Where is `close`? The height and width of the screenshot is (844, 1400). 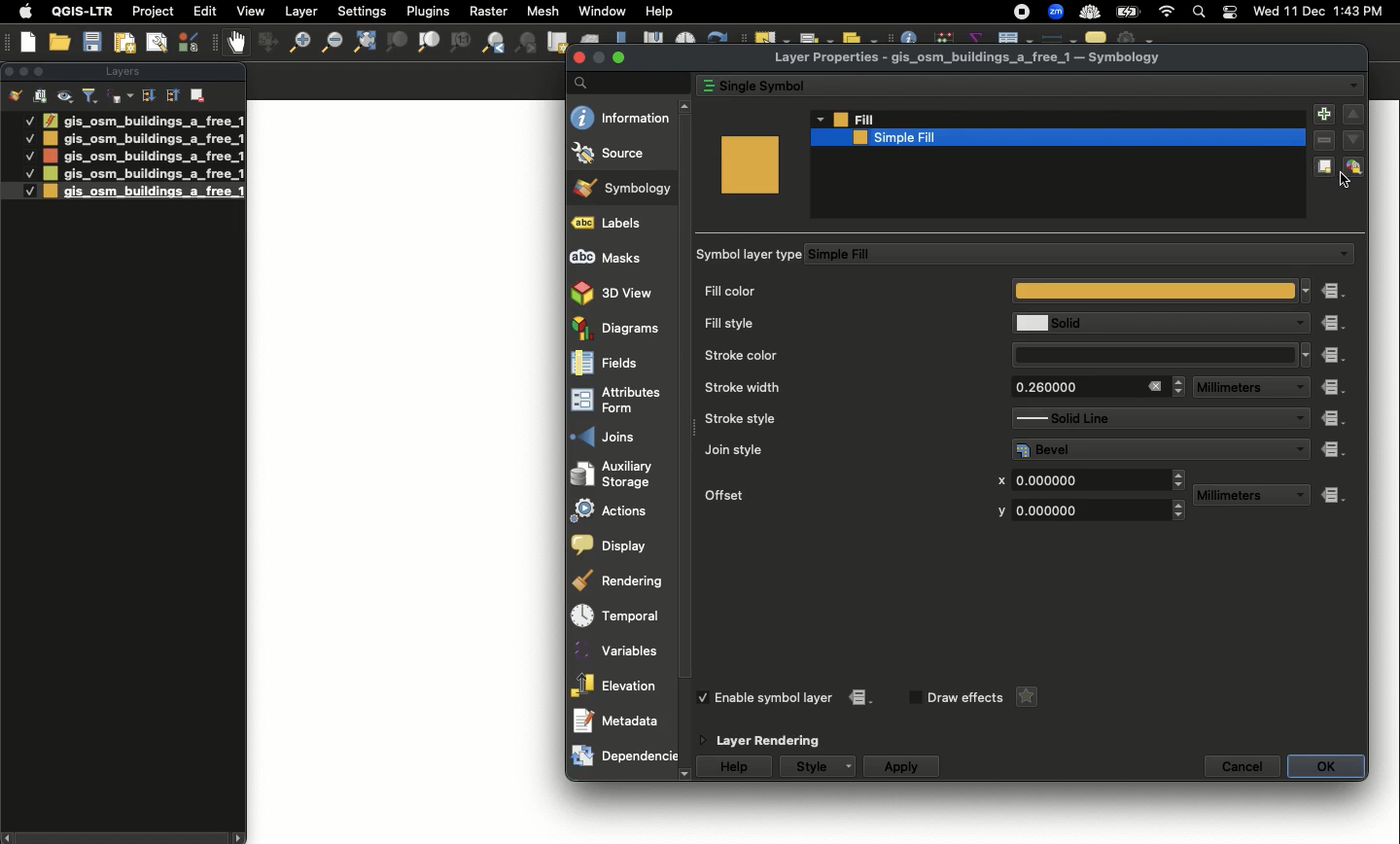 close is located at coordinates (580, 58).